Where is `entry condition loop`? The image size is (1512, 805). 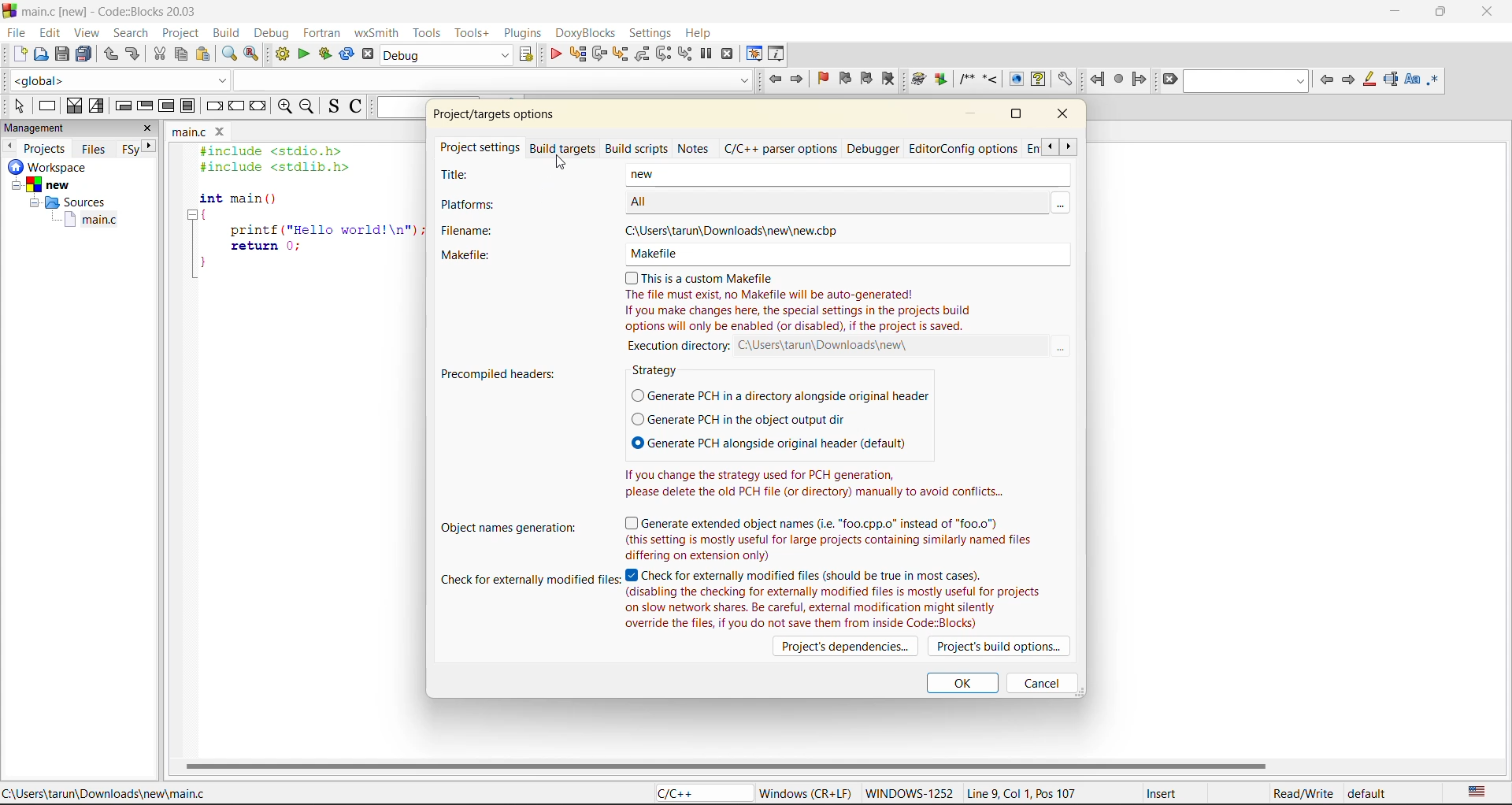
entry condition loop is located at coordinates (122, 107).